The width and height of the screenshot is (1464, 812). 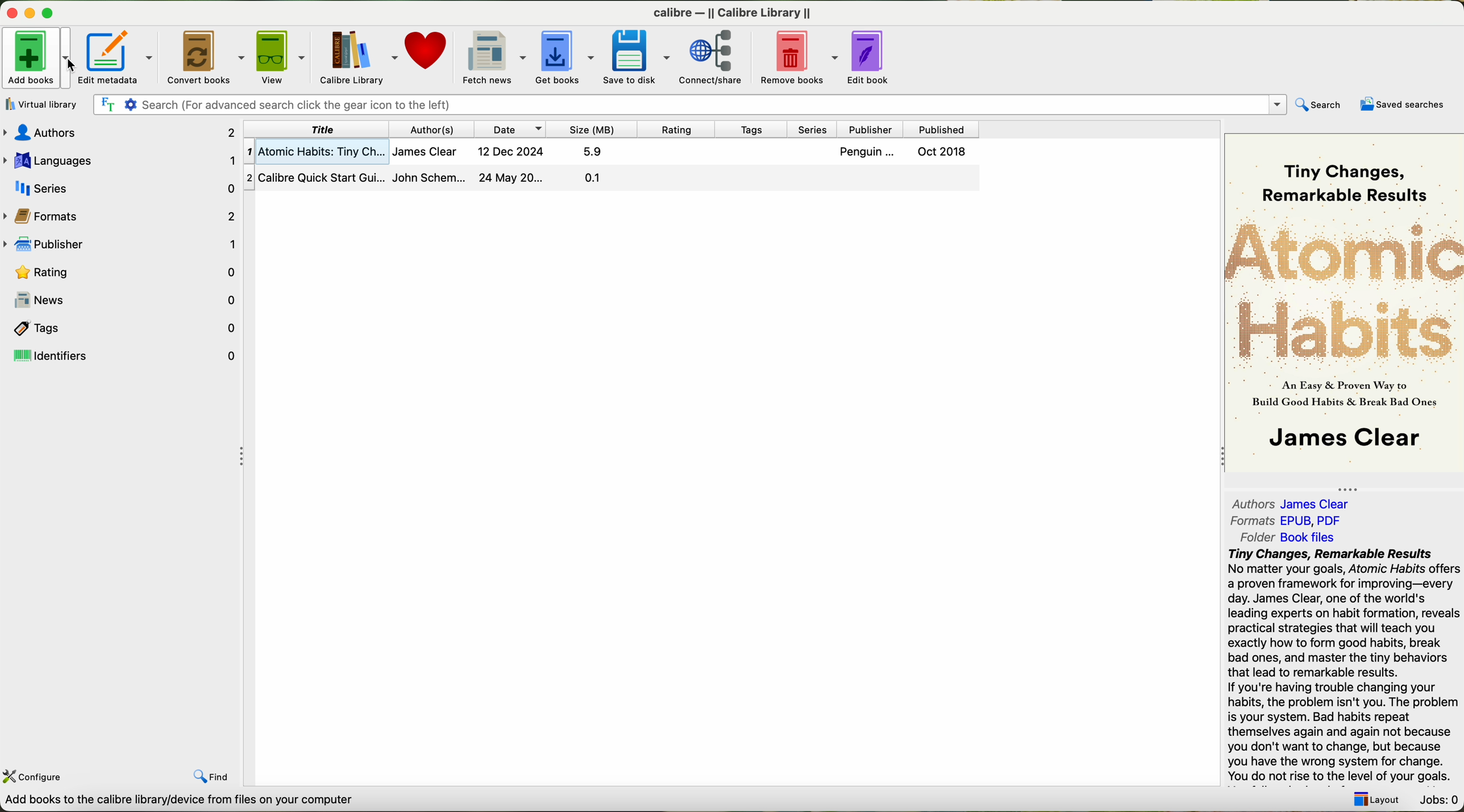 What do you see at coordinates (212, 778) in the screenshot?
I see `find` at bounding box center [212, 778].